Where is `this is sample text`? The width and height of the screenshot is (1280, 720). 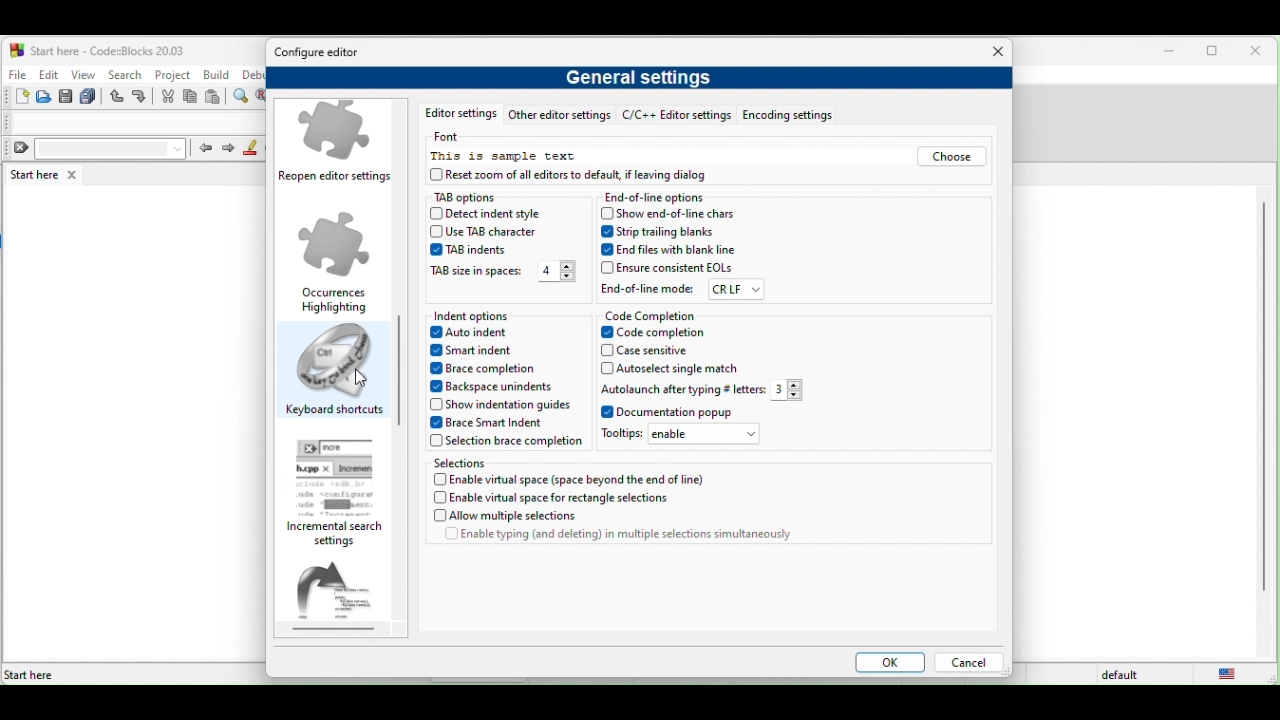 this is sample text is located at coordinates (506, 157).